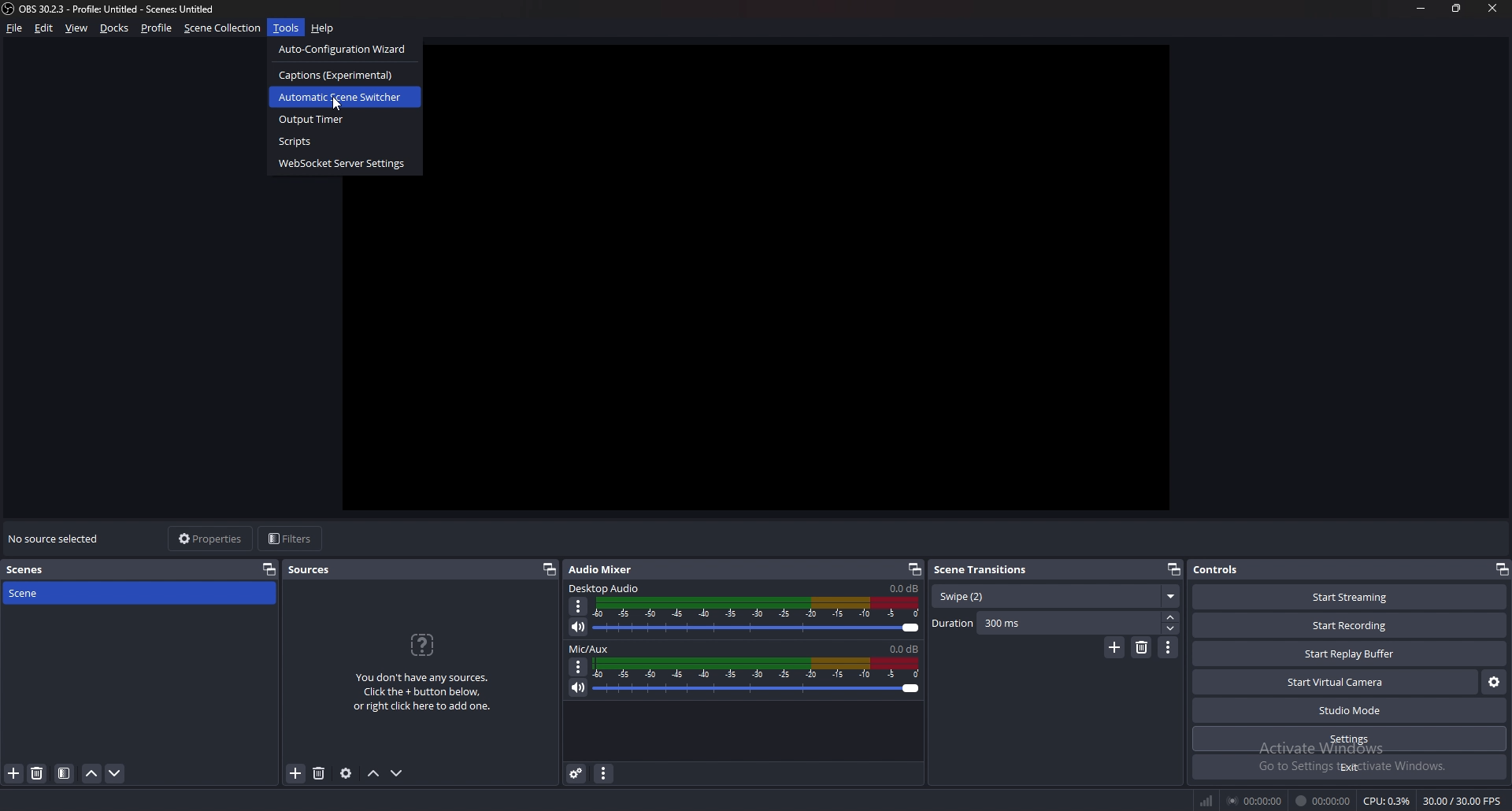  What do you see at coordinates (1055, 597) in the screenshot?
I see `swipe` at bounding box center [1055, 597].